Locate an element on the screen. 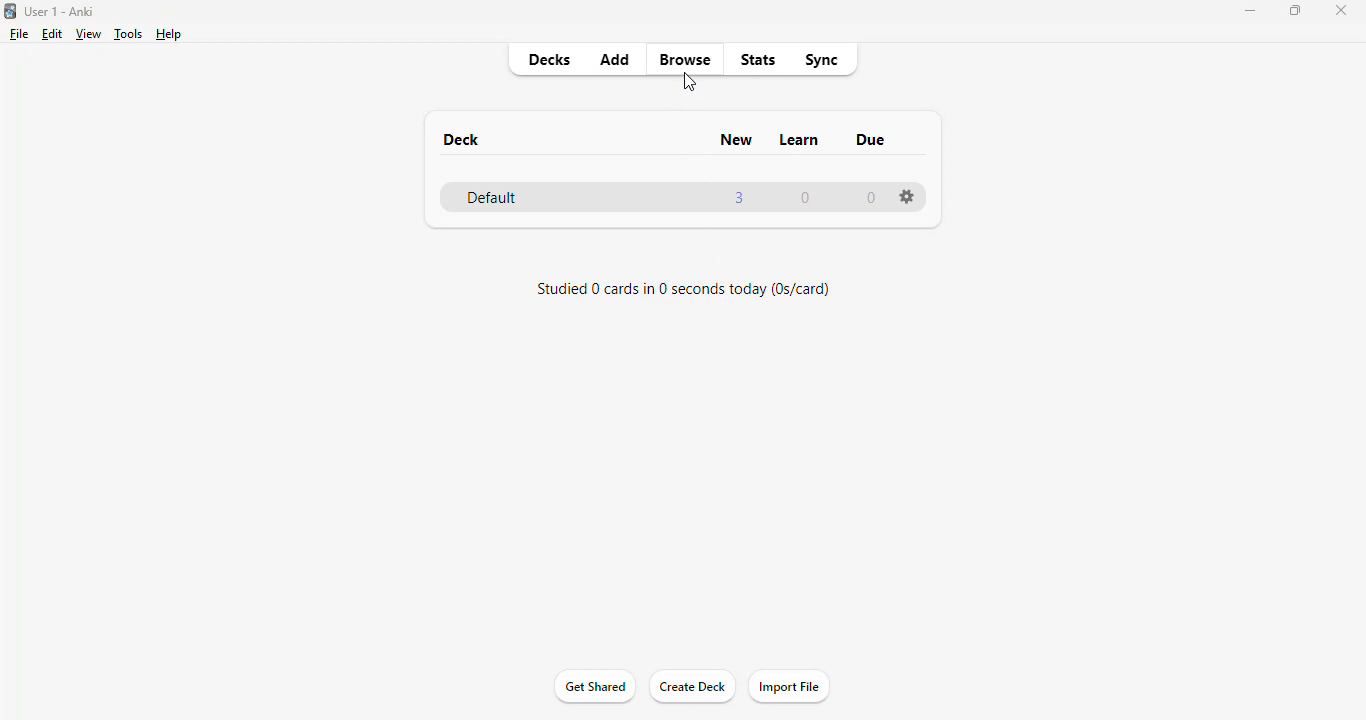 The width and height of the screenshot is (1366, 720). help is located at coordinates (169, 34).